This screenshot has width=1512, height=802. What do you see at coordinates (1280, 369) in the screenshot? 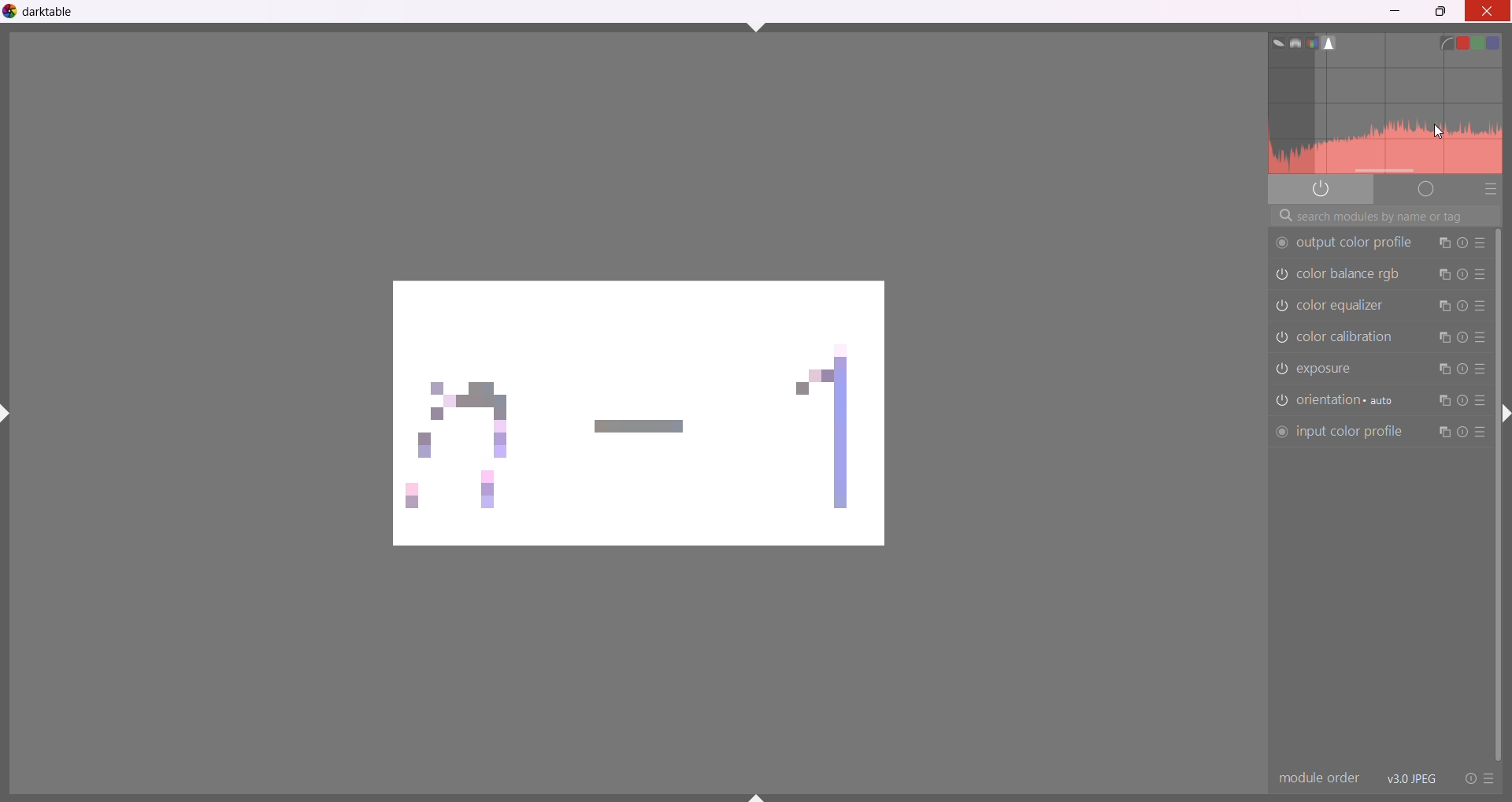
I see `exposure switched off` at bounding box center [1280, 369].